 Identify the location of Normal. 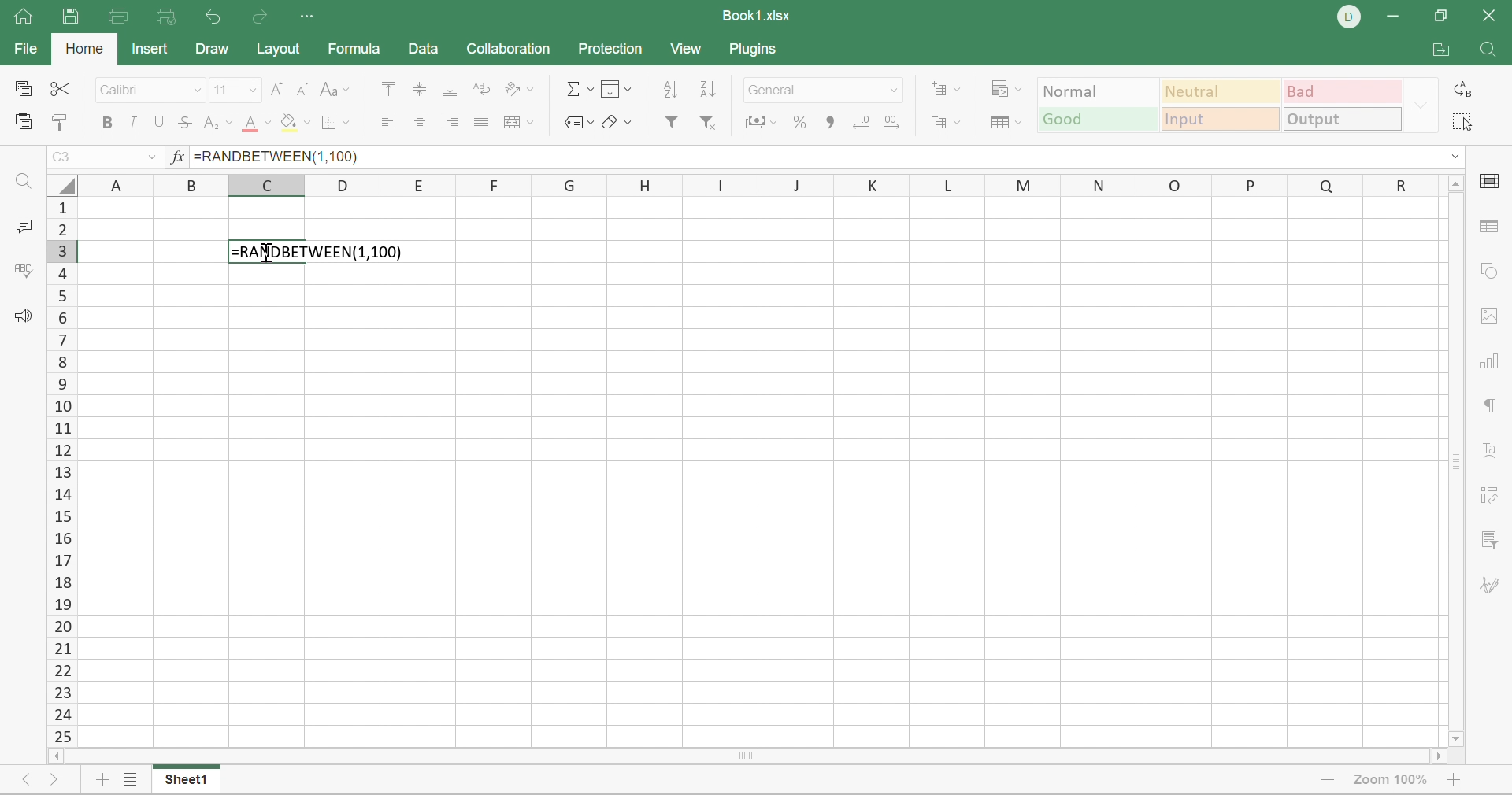
(1098, 90).